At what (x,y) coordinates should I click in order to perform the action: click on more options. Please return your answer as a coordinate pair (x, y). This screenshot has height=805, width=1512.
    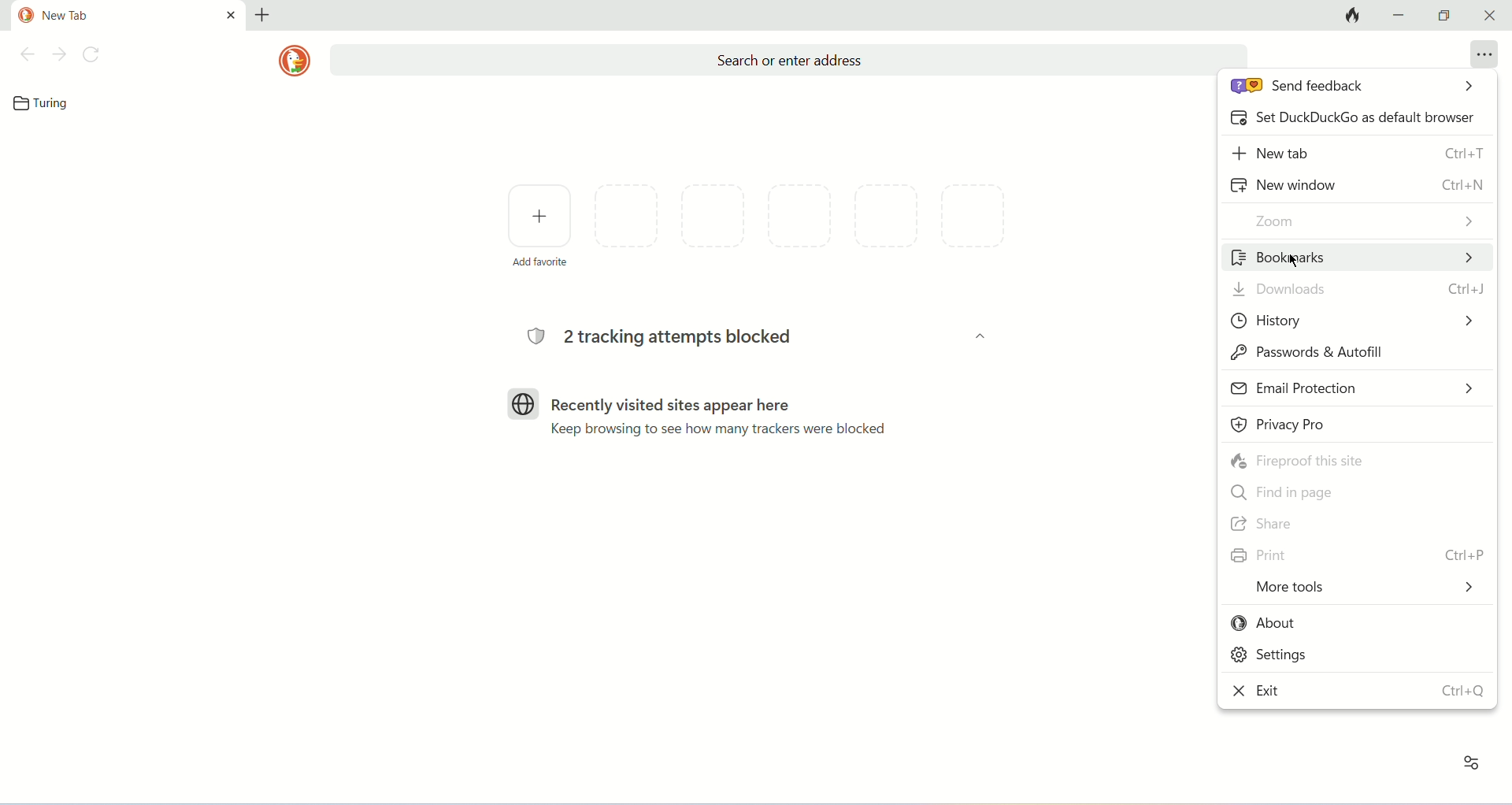
    Looking at the image, I should click on (1487, 55).